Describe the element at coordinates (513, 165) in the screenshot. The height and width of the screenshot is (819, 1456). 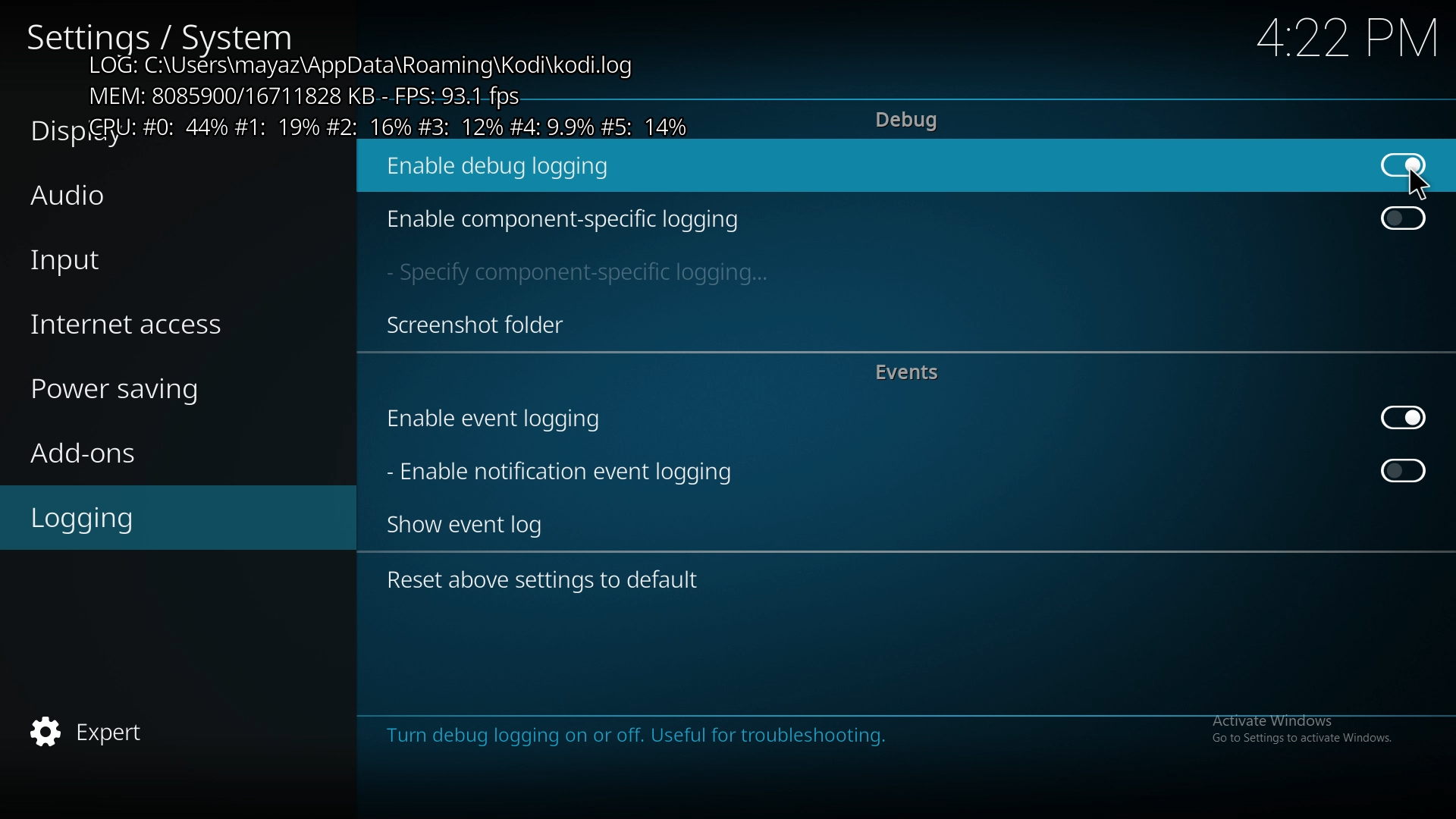
I see `enable debug logging` at that location.